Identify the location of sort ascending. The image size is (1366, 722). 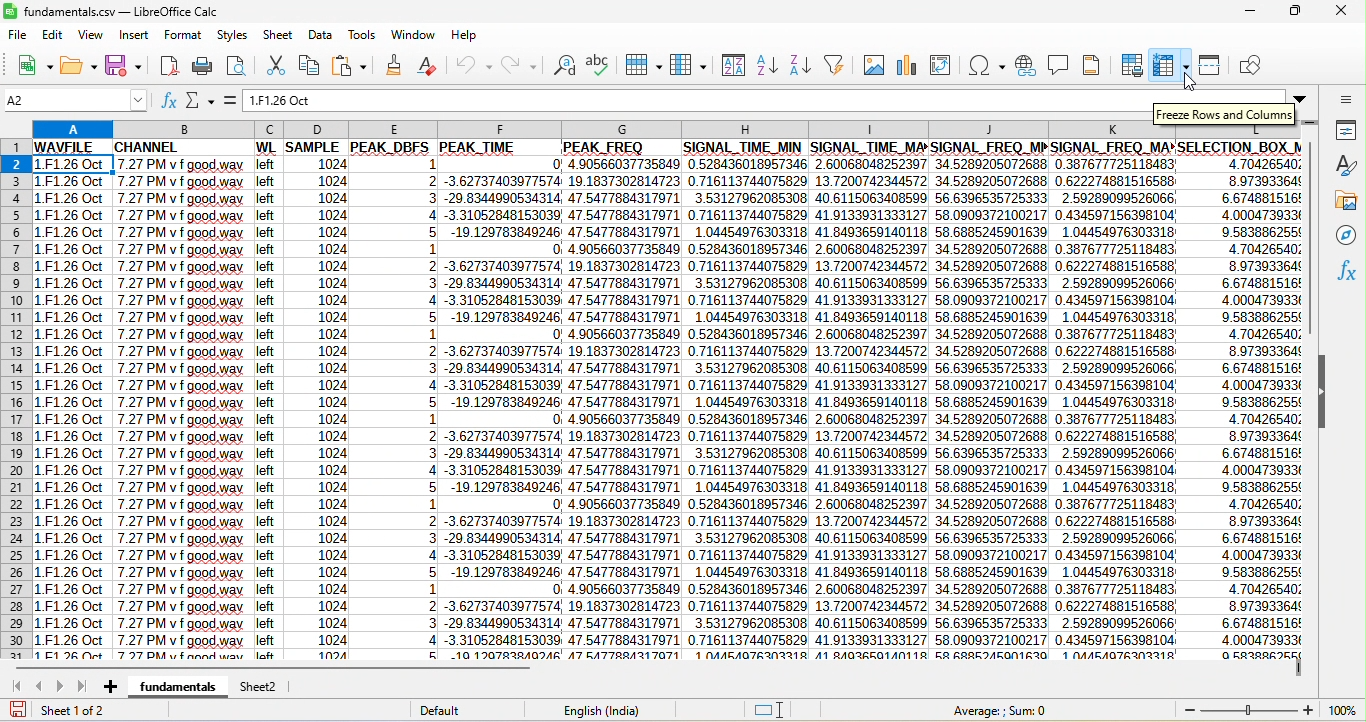
(769, 66).